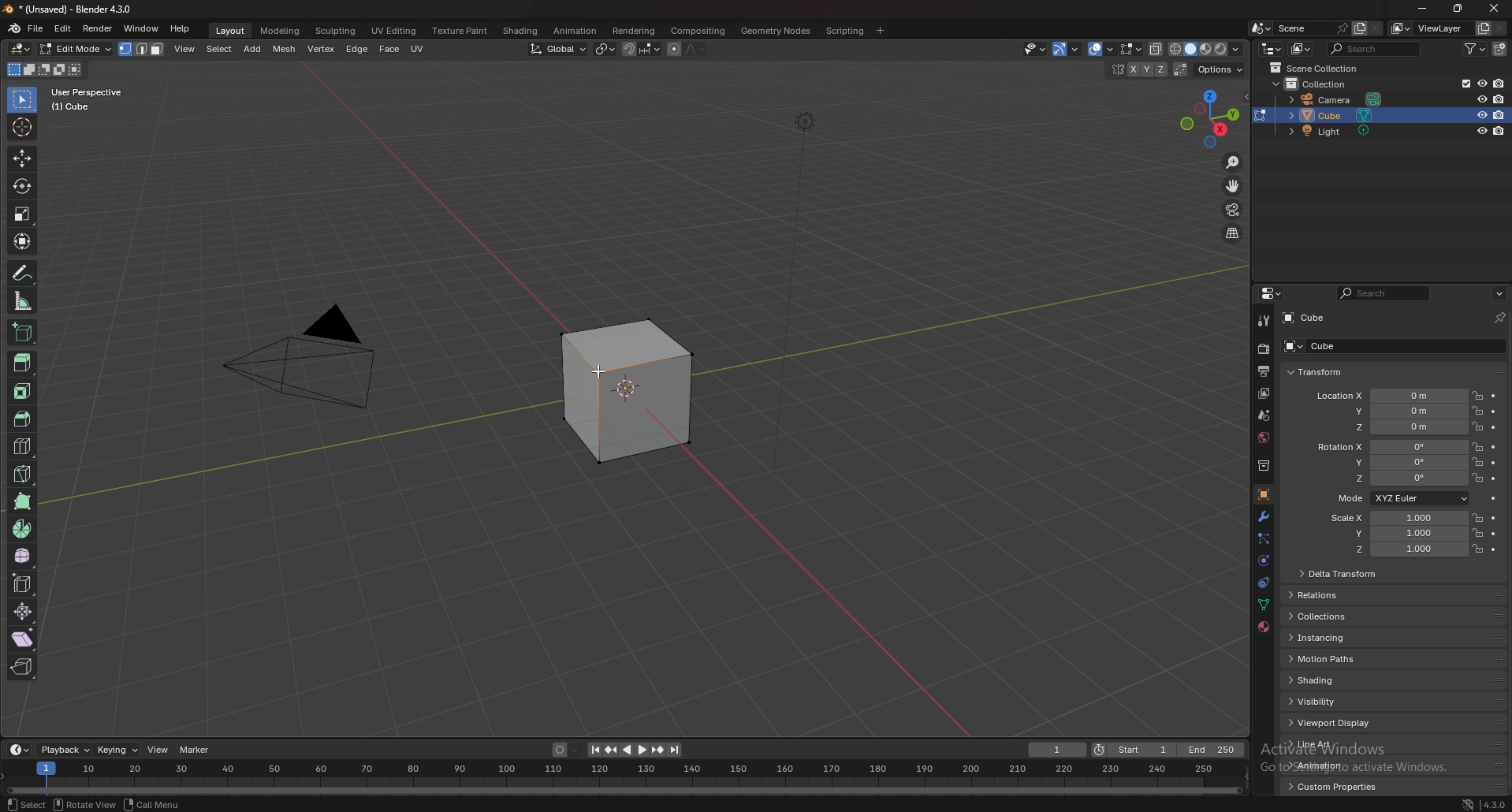 The height and width of the screenshot is (812, 1512). I want to click on animation, so click(1341, 765).